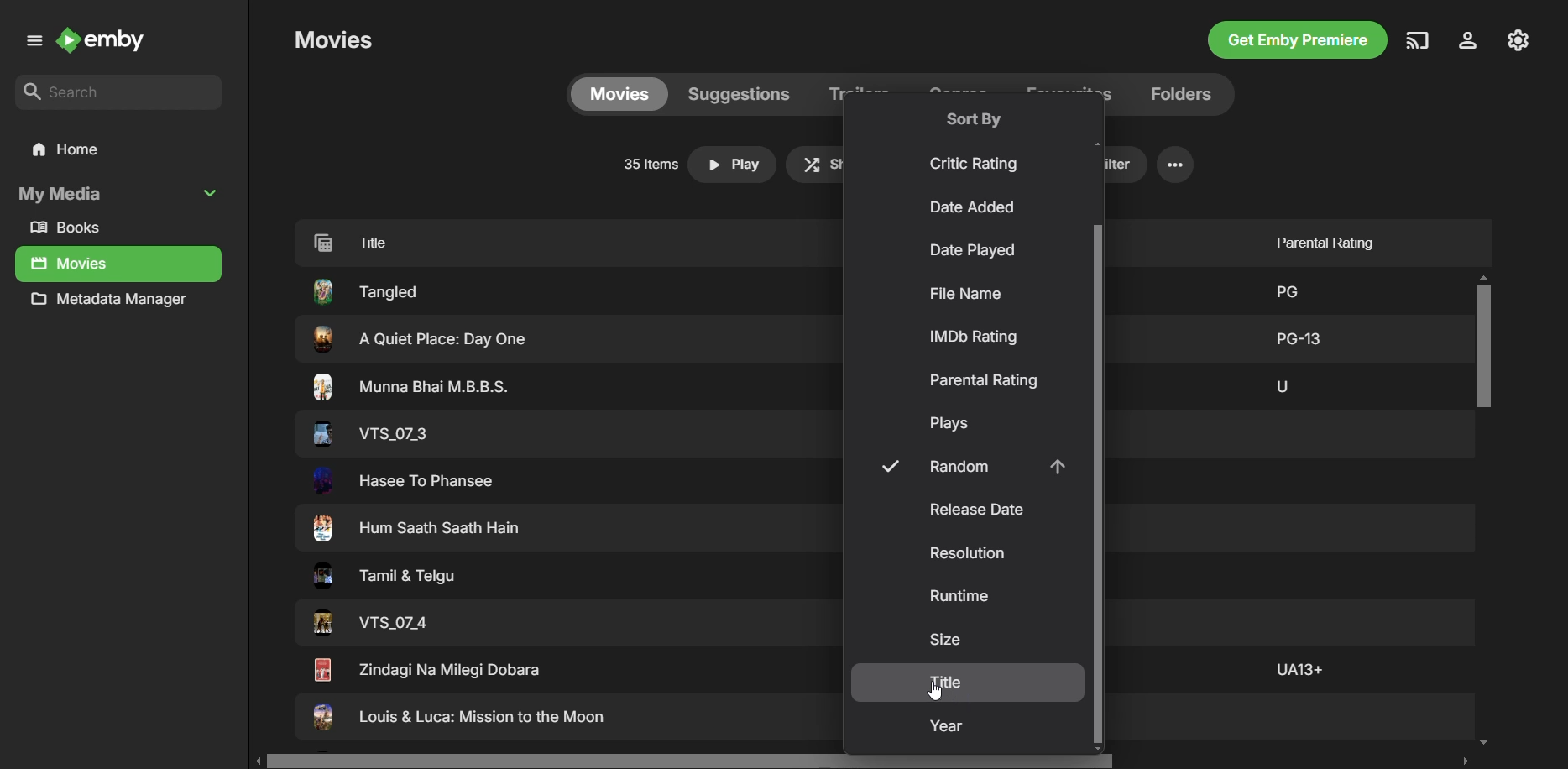 This screenshot has height=769, width=1568. What do you see at coordinates (968, 467) in the screenshot?
I see `Current Sort Order - Random` at bounding box center [968, 467].